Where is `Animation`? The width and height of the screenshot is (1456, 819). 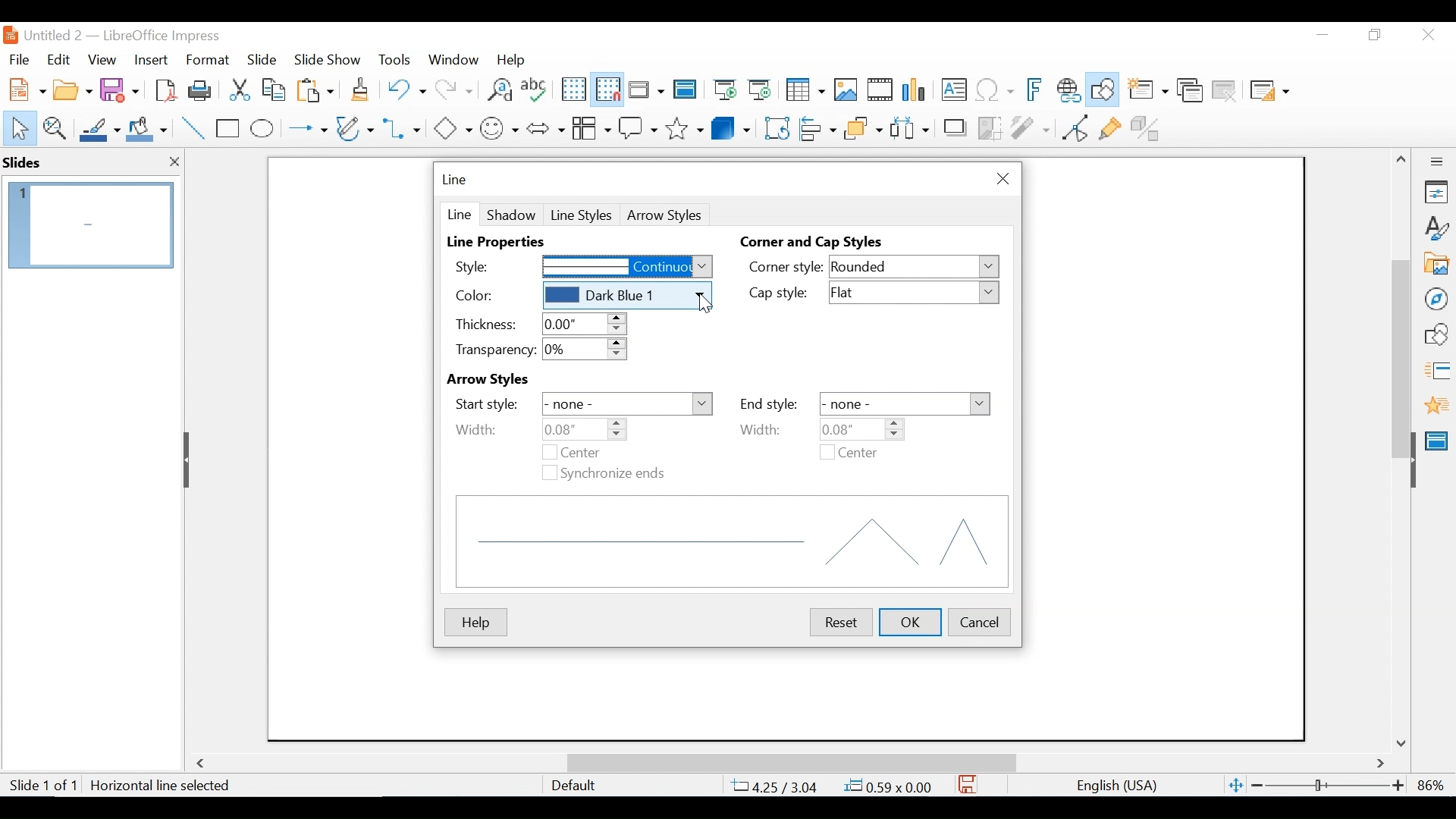
Animation is located at coordinates (1437, 405).